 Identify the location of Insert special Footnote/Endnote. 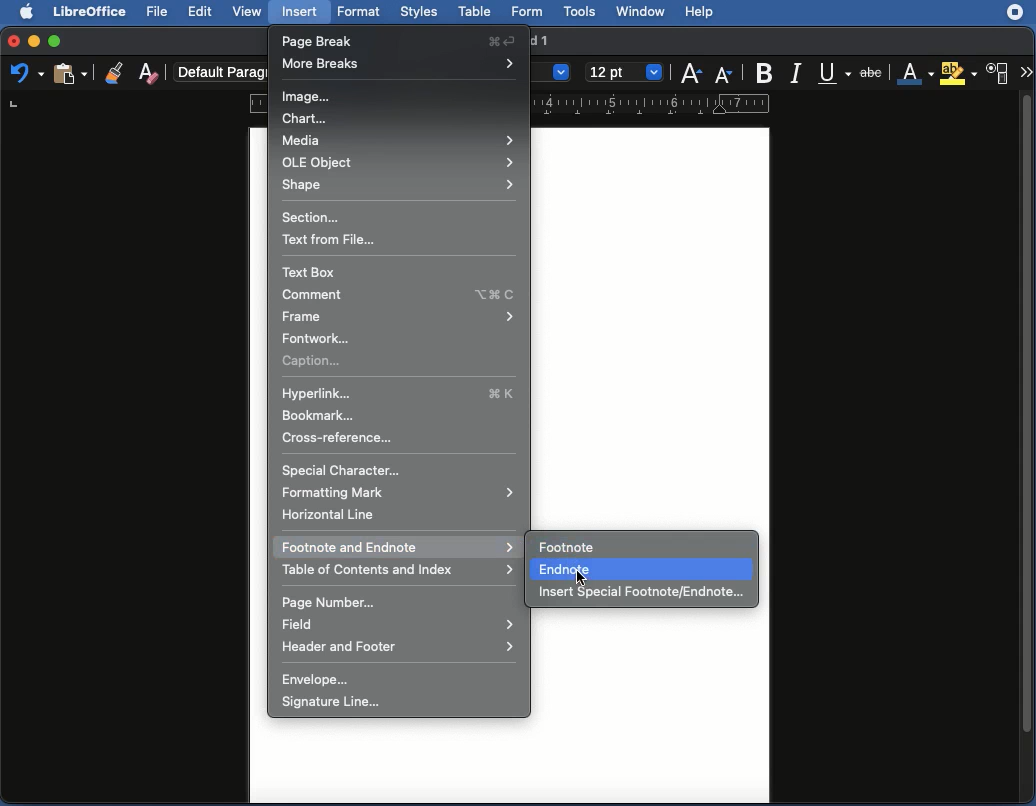
(644, 595).